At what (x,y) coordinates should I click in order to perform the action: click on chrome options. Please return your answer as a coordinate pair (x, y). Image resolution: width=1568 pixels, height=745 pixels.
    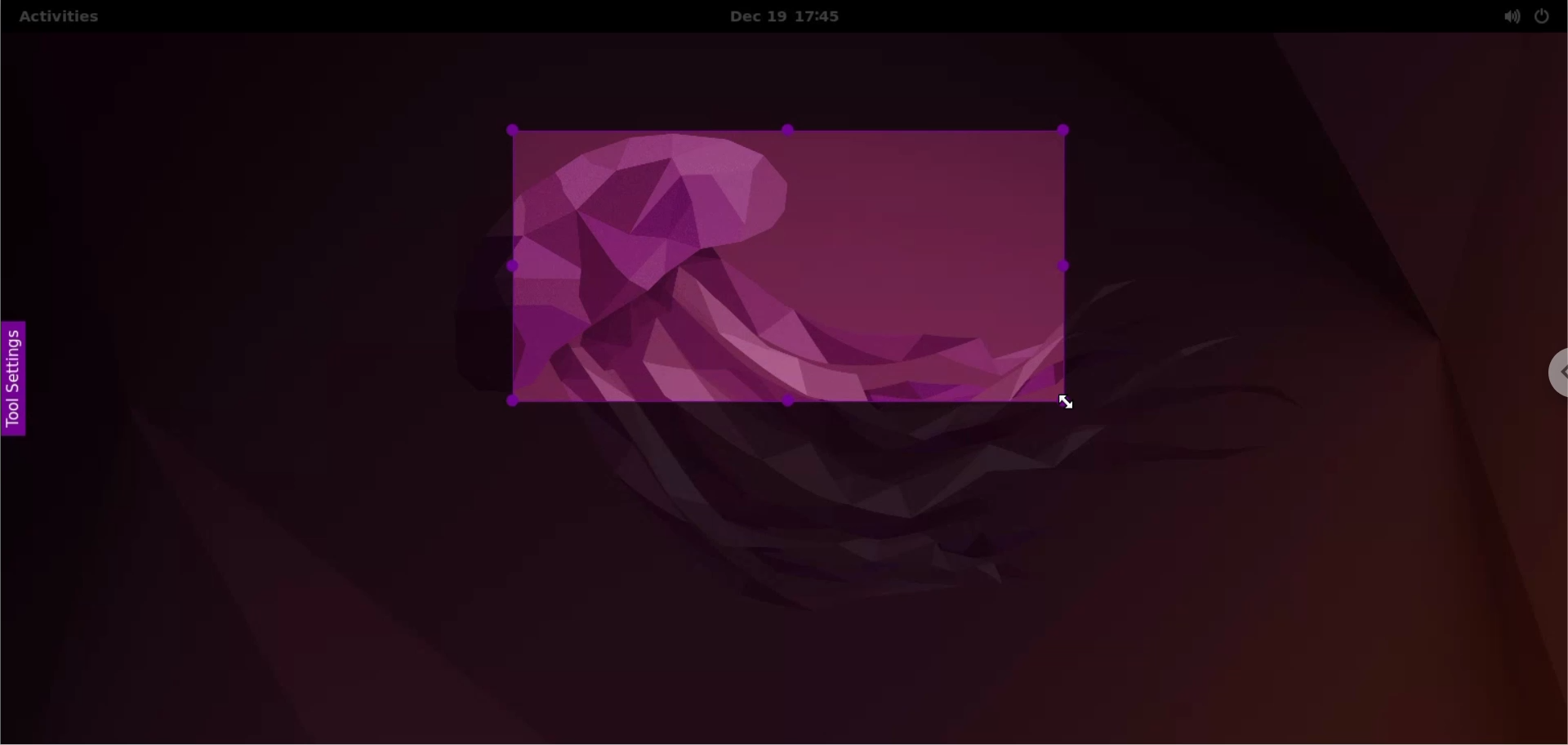
    Looking at the image, I should click on (1548, 377).